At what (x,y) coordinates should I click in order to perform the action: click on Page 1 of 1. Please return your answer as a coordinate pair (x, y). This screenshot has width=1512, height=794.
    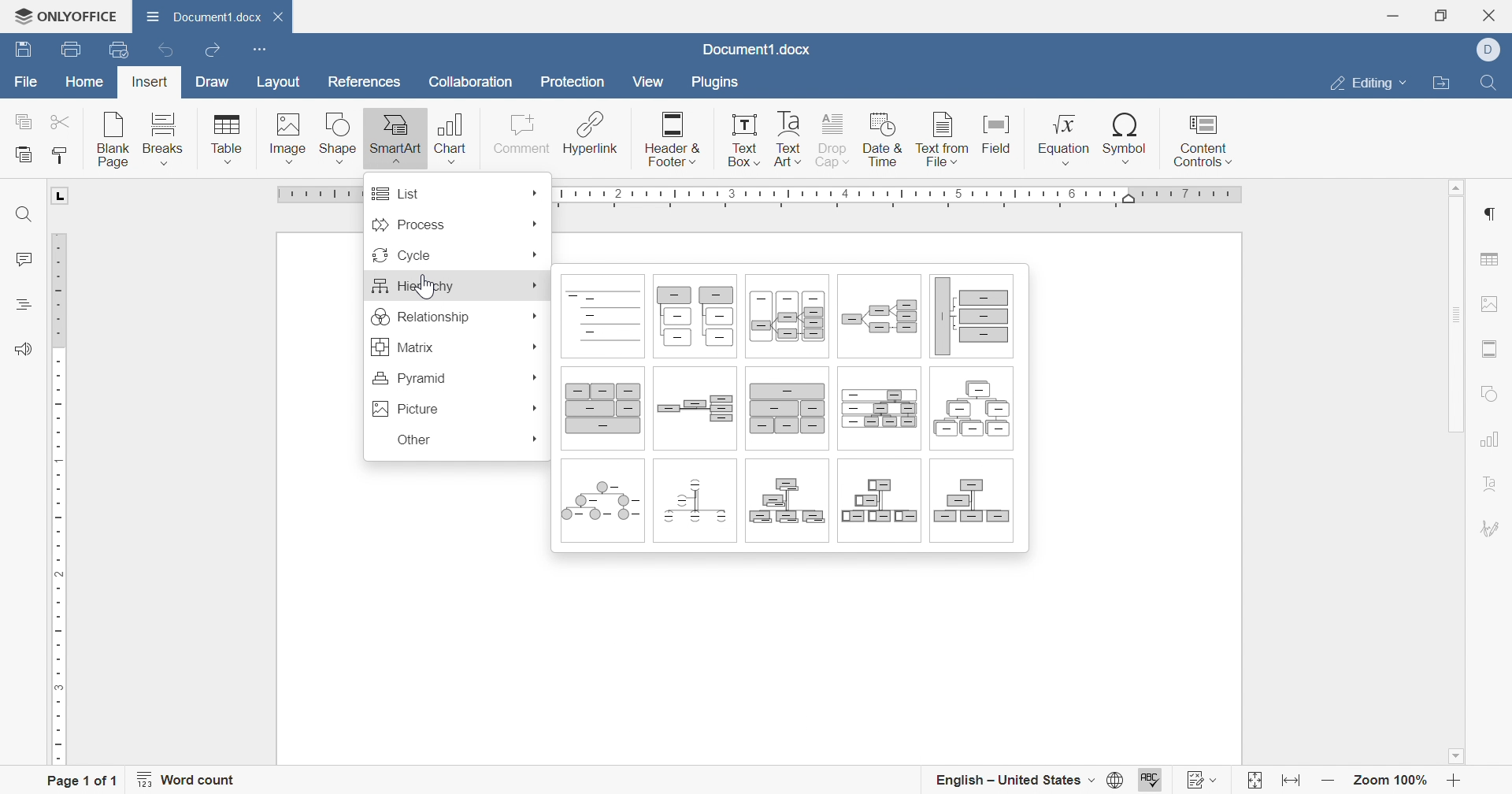
    Looking at the image, I should click on (80, 779).